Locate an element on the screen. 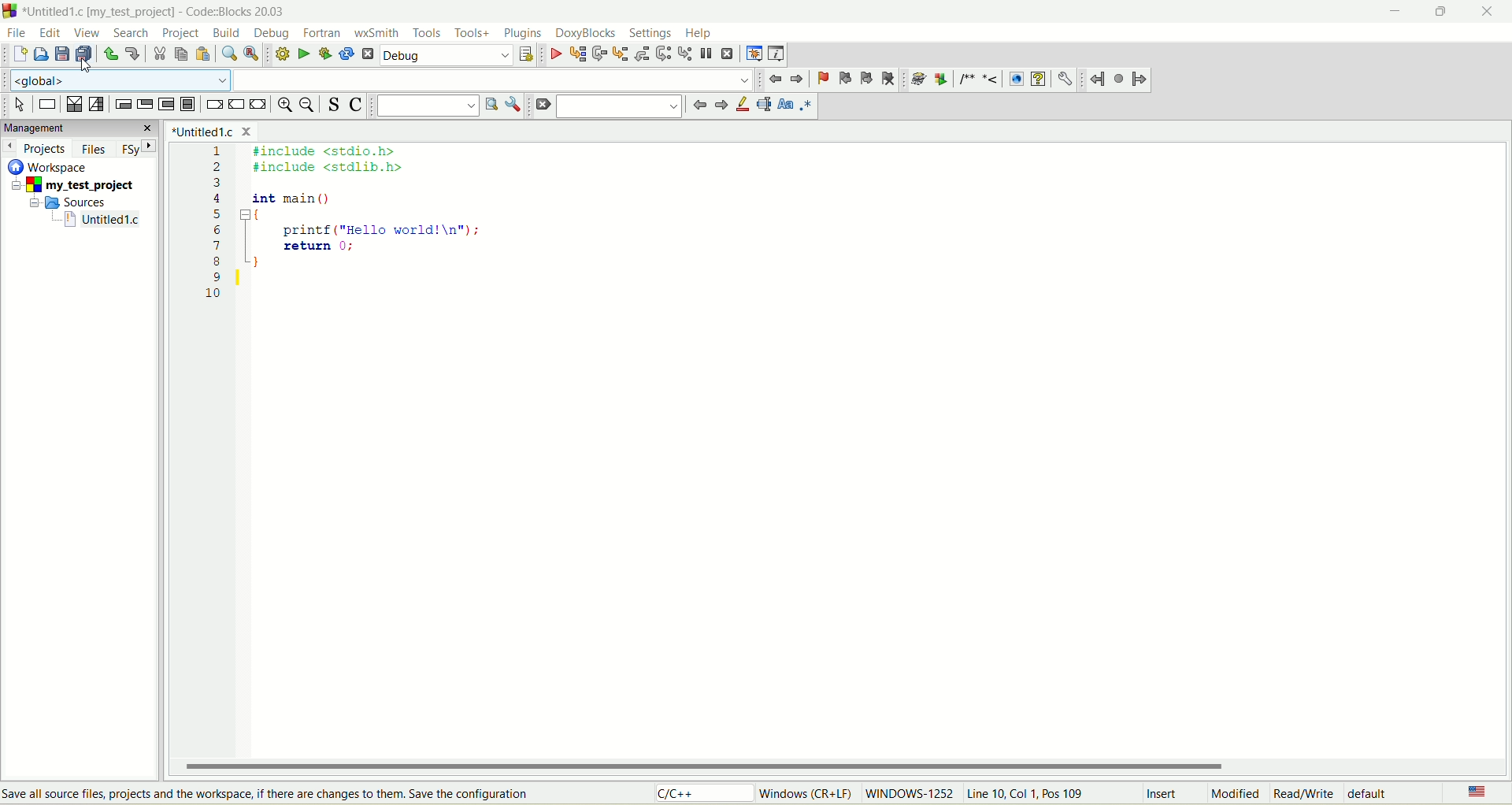 The width and height of the screenshot is (1512, 805). save all source files, projects and the workspace, if there are changes to them. Save the configuration is located at coordinates (271, 794).